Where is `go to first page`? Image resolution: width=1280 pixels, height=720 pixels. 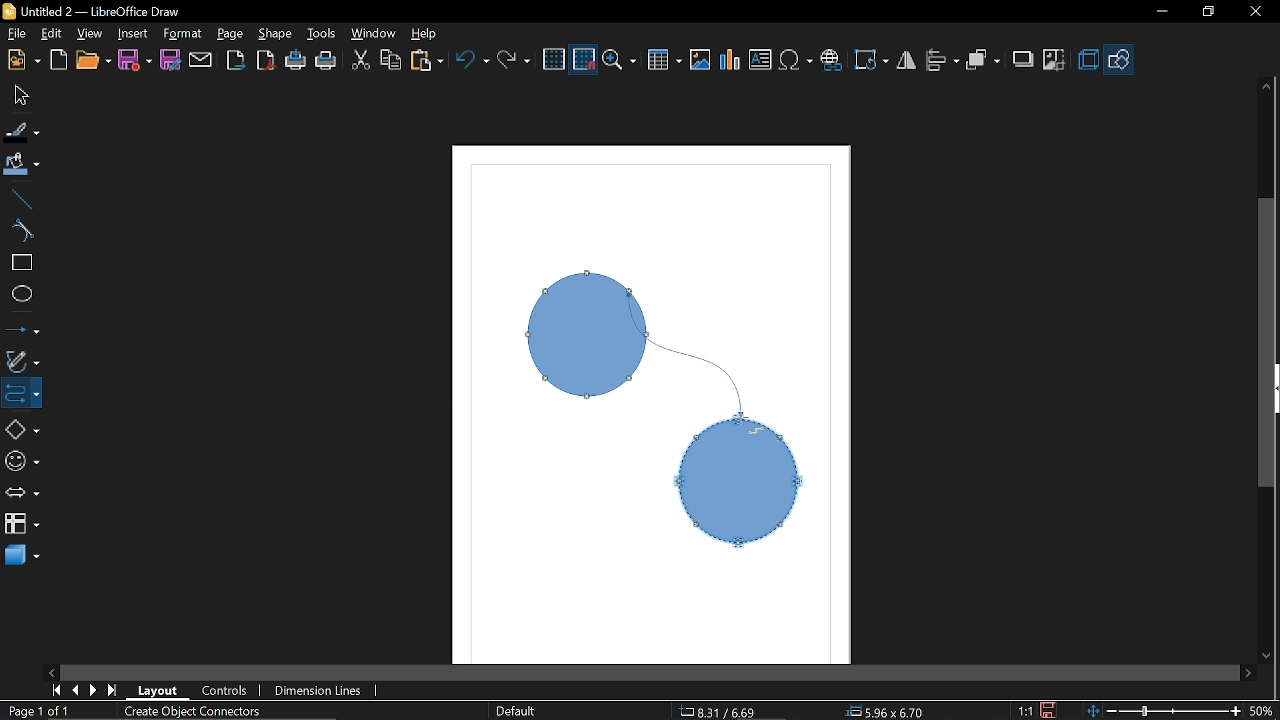 go to first page is located at coordinates (54, 691).